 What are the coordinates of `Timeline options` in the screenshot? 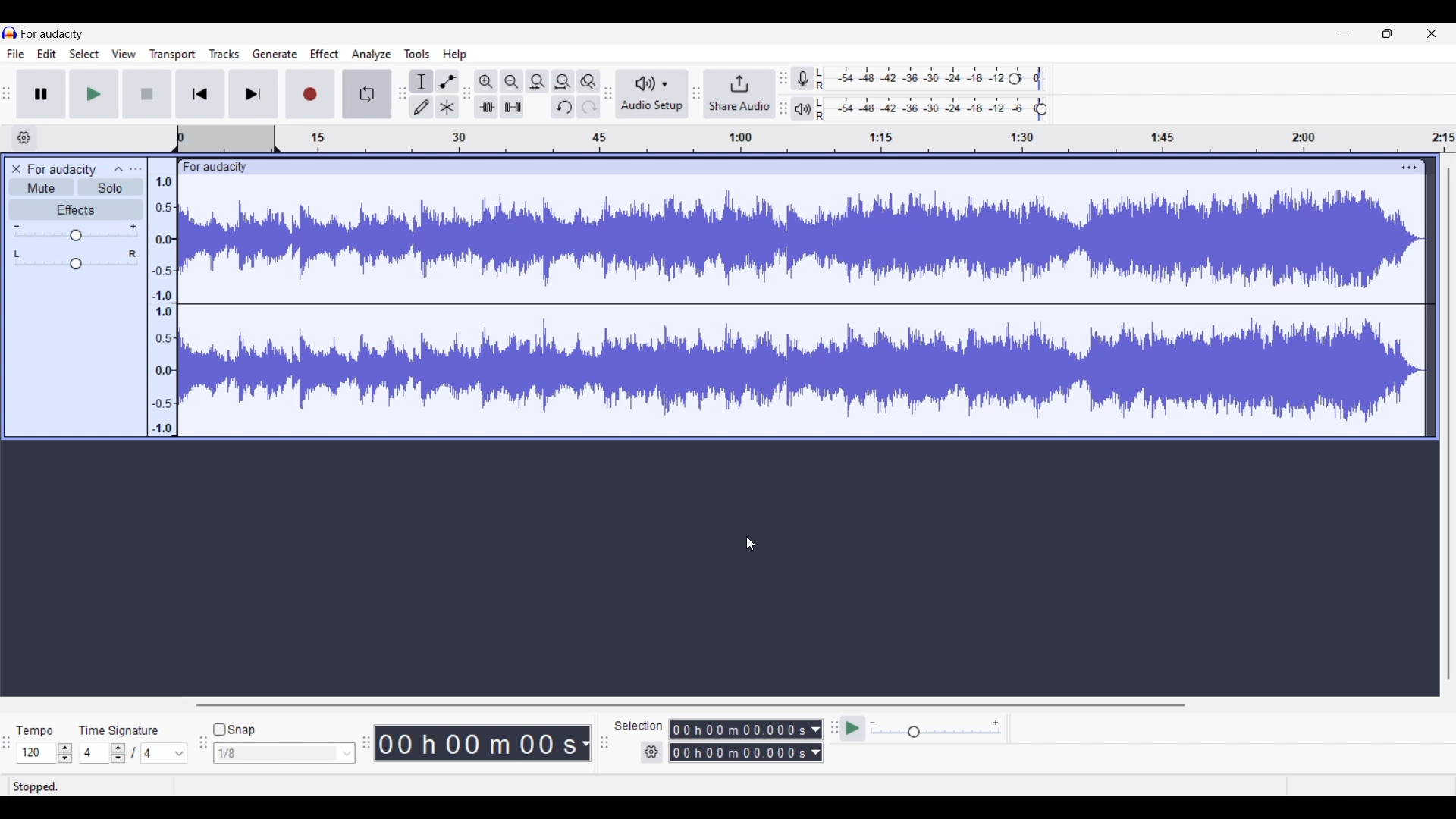 It's located at (24, 138).